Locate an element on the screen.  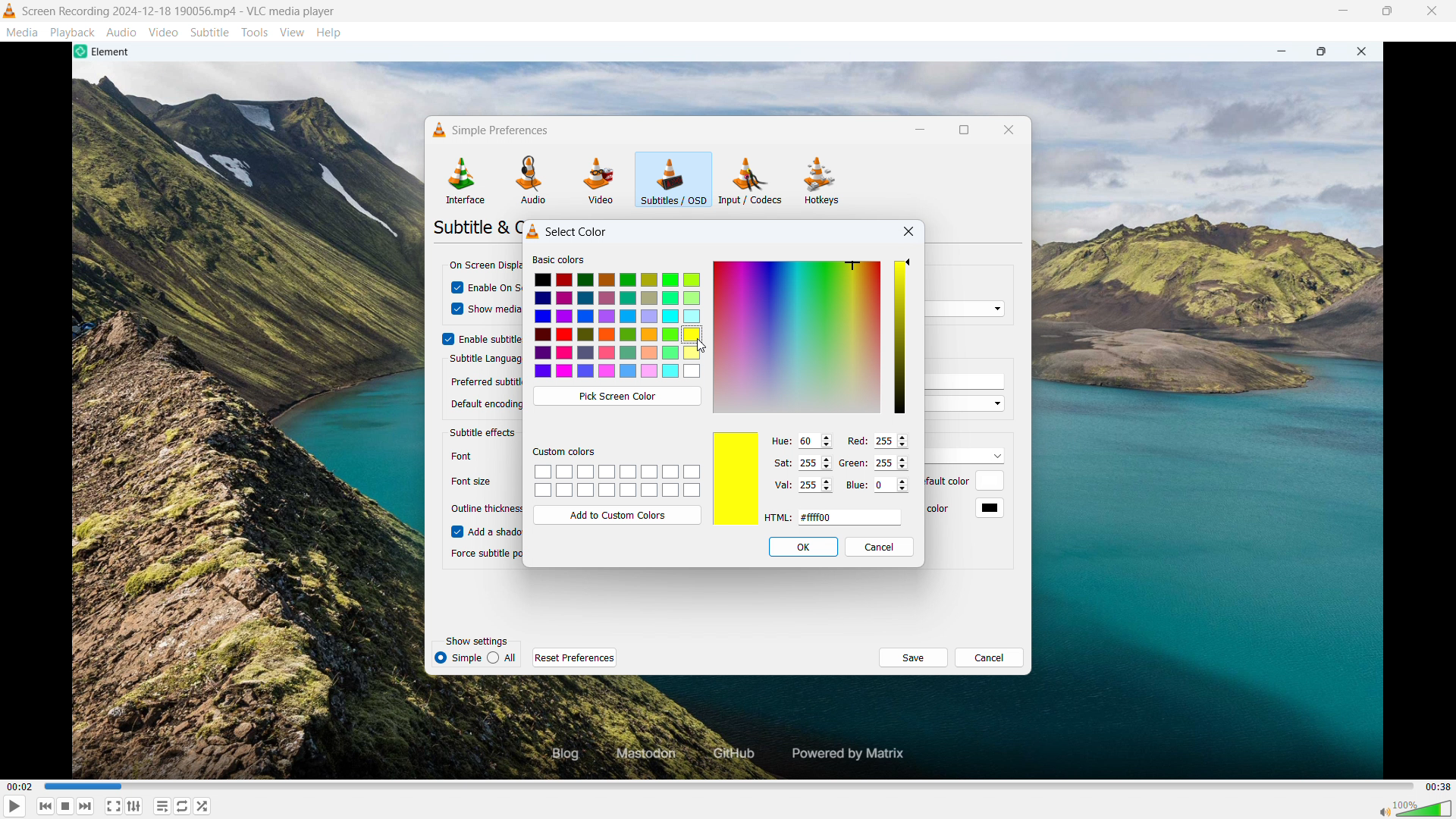
Outline thickness. is located at coordinates (485, 509).